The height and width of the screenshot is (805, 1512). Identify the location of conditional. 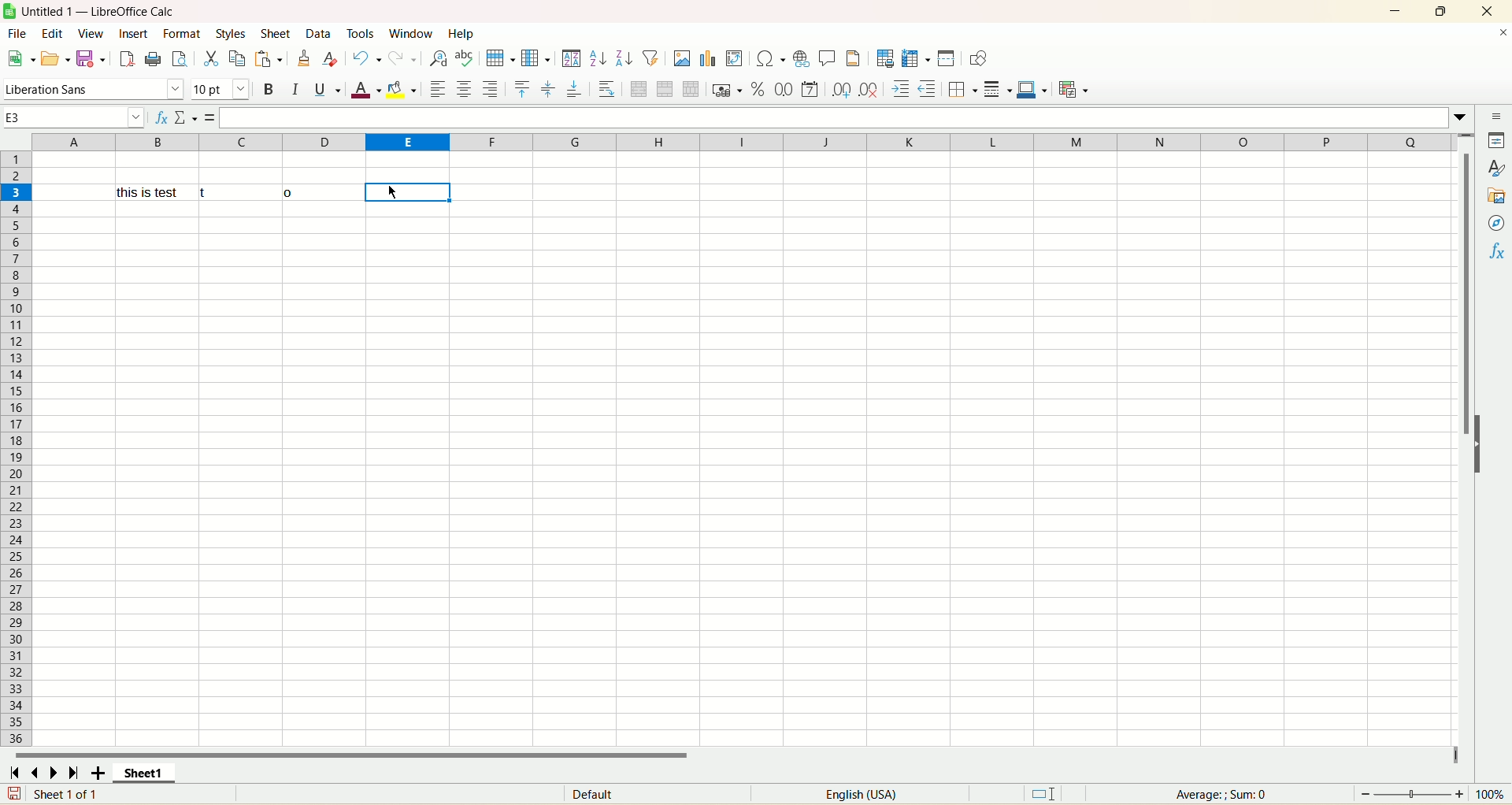
(1075, 90).